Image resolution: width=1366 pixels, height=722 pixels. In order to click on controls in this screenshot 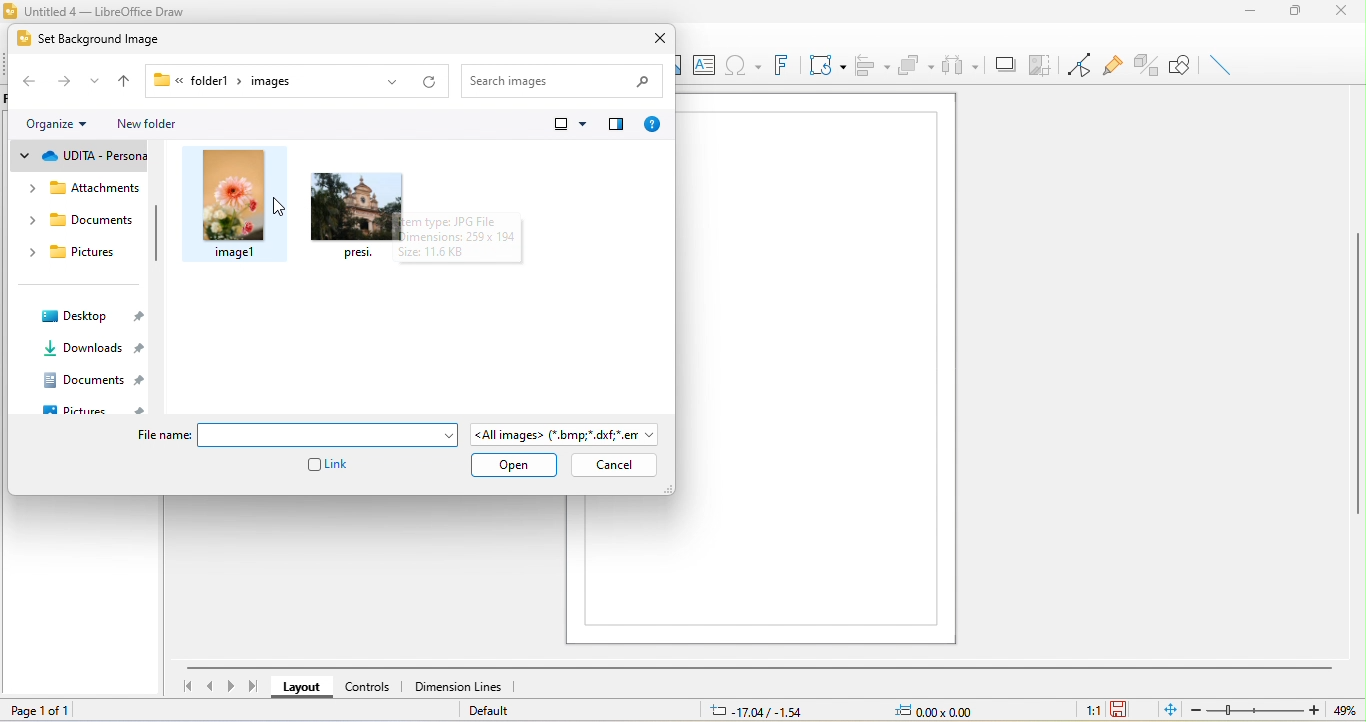, I will do `click(368, 688)`.